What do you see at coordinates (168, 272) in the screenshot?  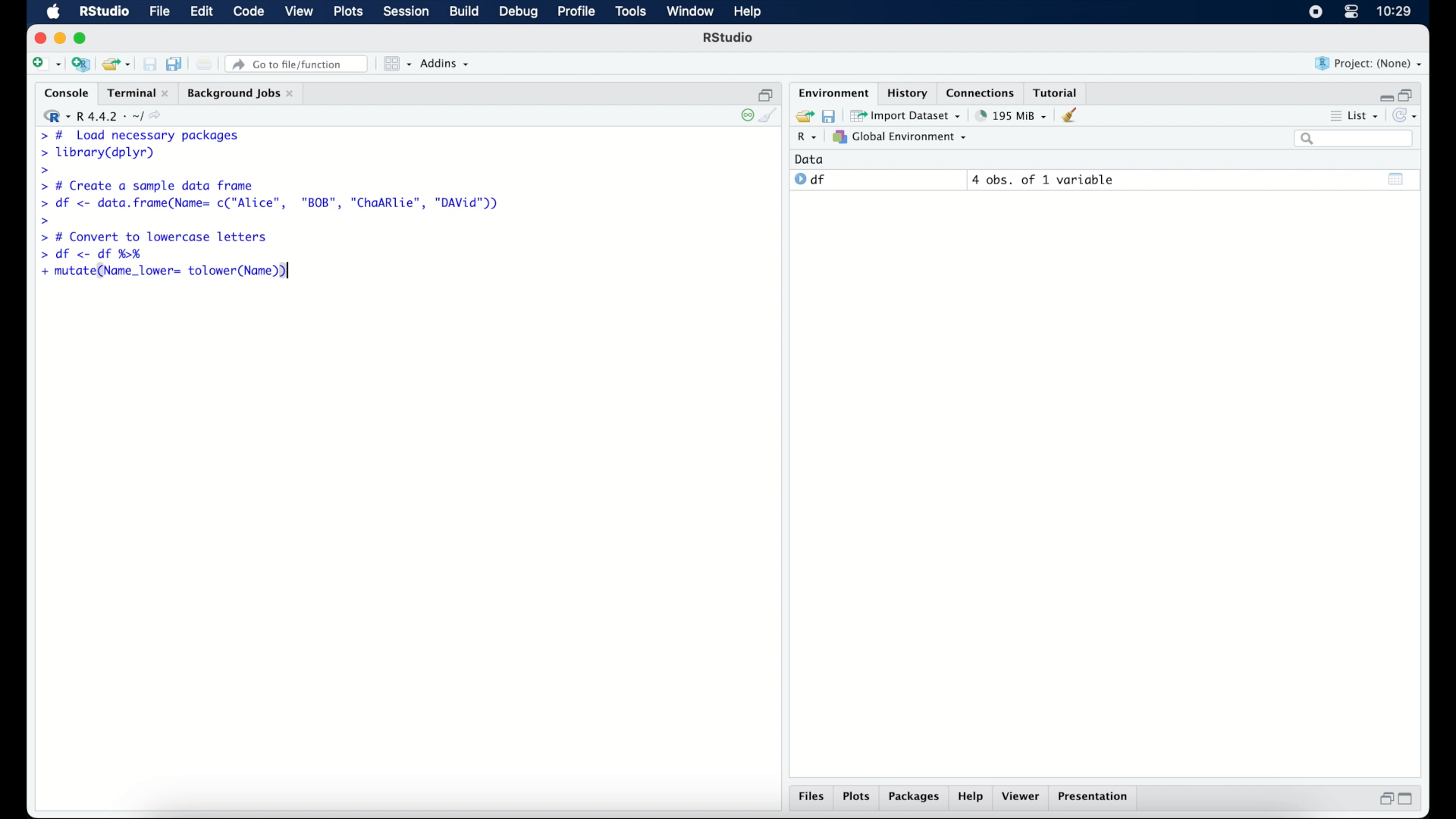 I see `+ mutate(Name_lower= tolower(Name))|` at bounding box center [168, 272].